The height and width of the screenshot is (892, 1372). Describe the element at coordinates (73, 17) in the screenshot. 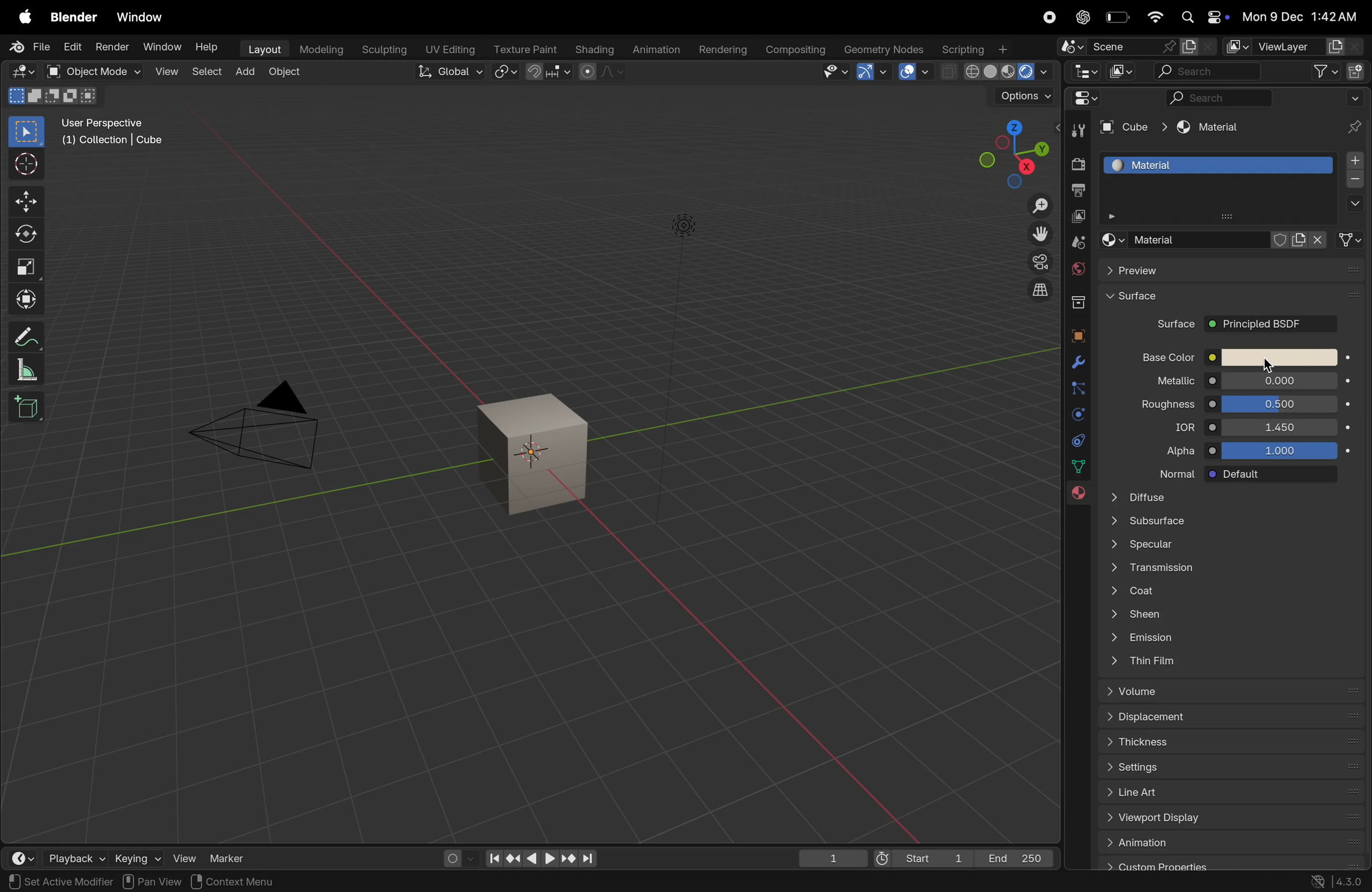

I see `Blender menu` at that location.